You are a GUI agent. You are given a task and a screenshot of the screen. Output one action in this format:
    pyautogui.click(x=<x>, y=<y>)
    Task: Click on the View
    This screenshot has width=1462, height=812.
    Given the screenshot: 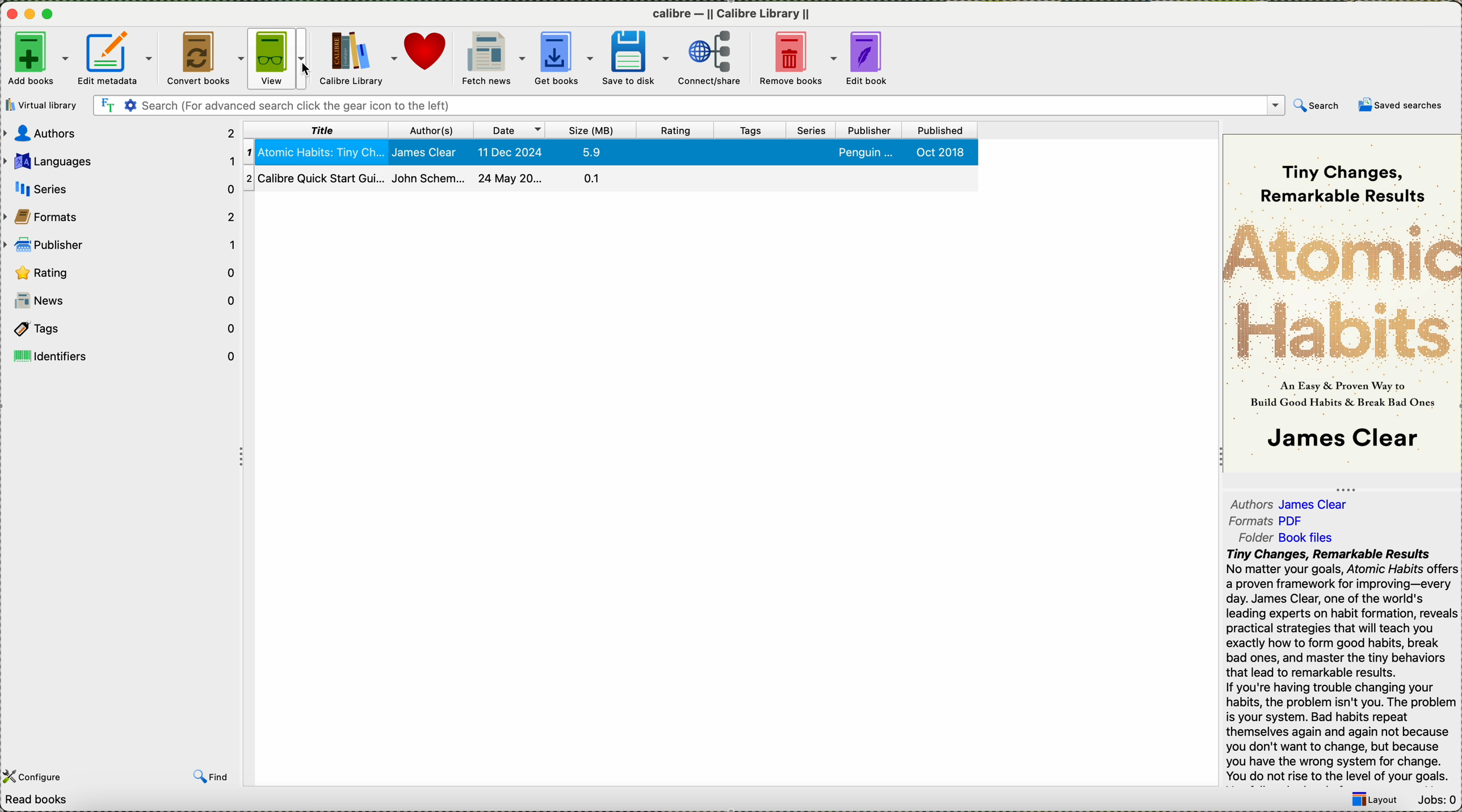 What is the action you would take?
    pyautogui.click(x=282, y=57)
    